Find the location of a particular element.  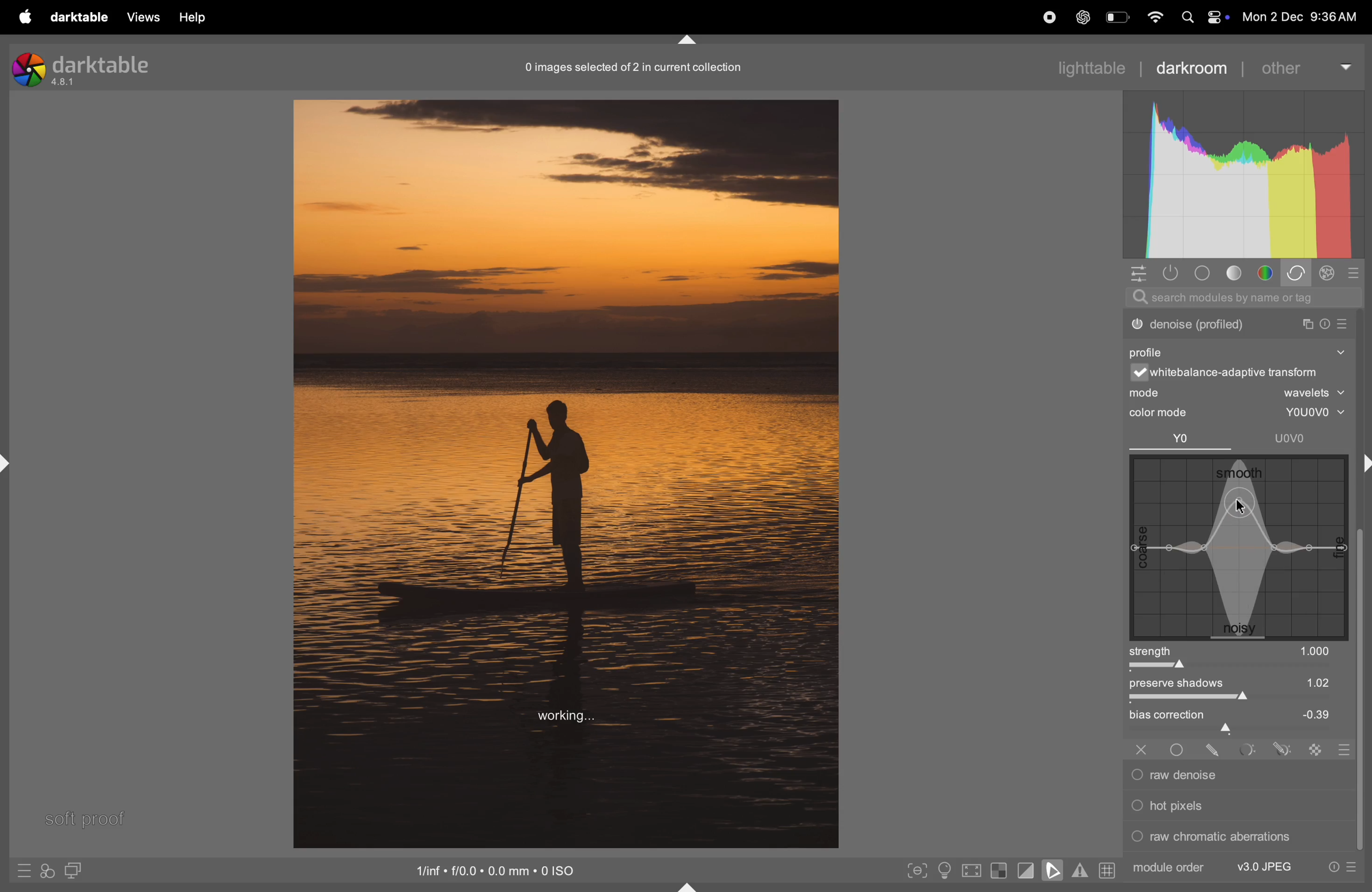

sign is located at coordinates (1280, 749).